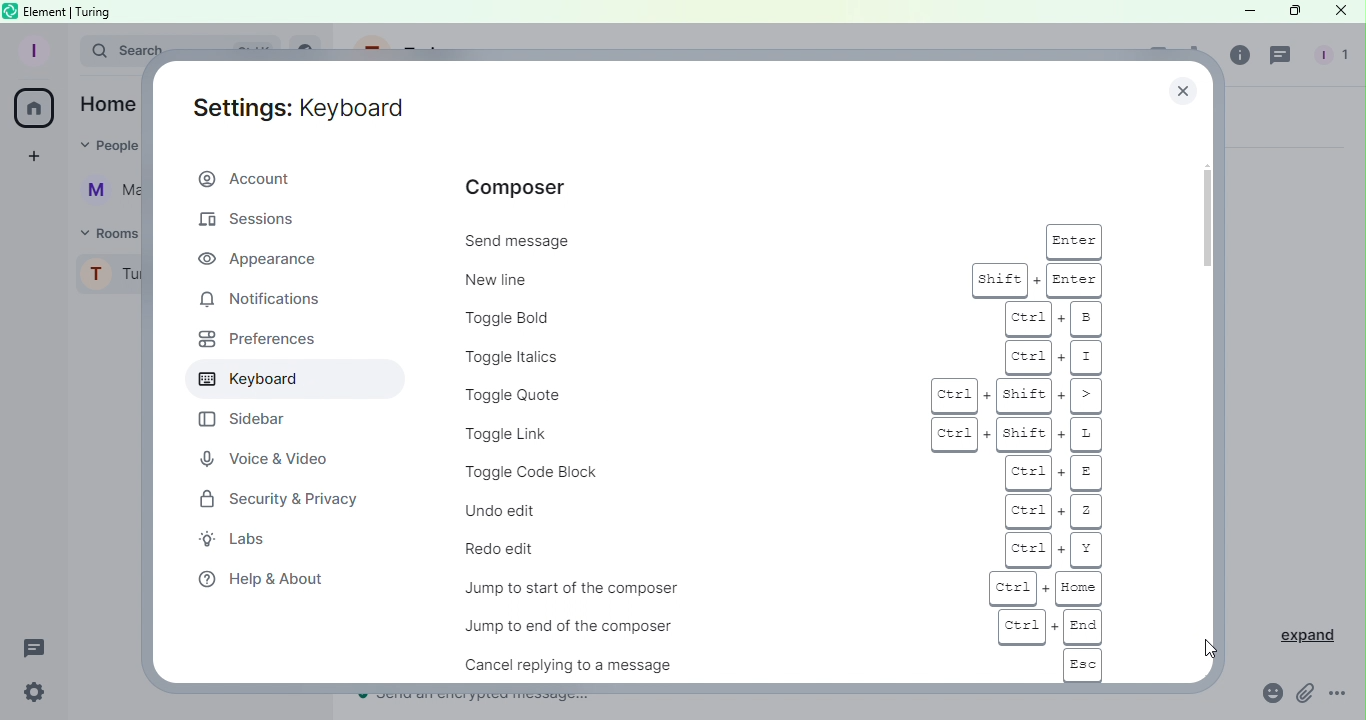 The width and height of the screenshot is (1366, 720). I want to click on Room info, so click(1240, 55).